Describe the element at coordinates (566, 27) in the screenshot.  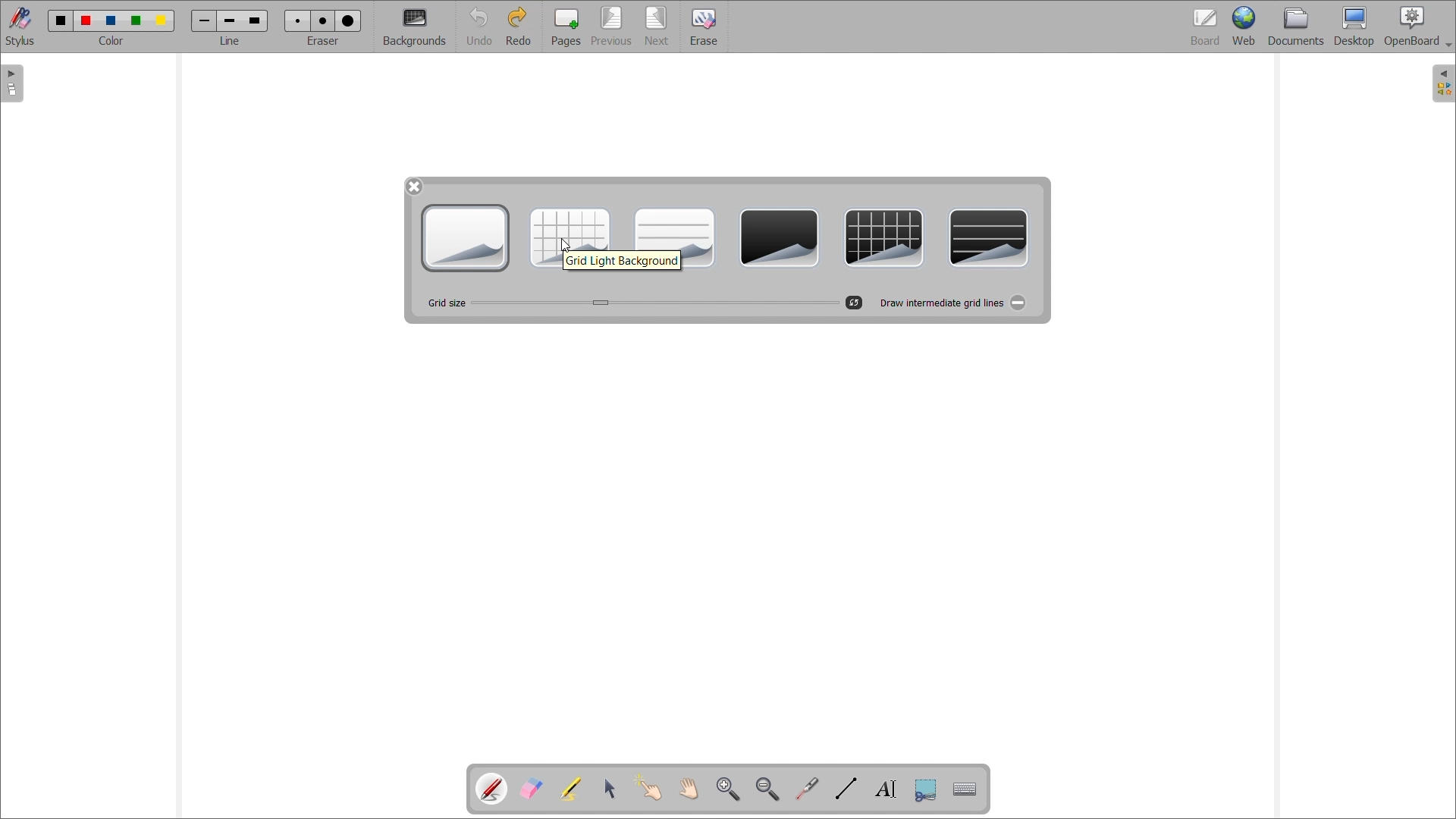
I see `Add page` at that location.